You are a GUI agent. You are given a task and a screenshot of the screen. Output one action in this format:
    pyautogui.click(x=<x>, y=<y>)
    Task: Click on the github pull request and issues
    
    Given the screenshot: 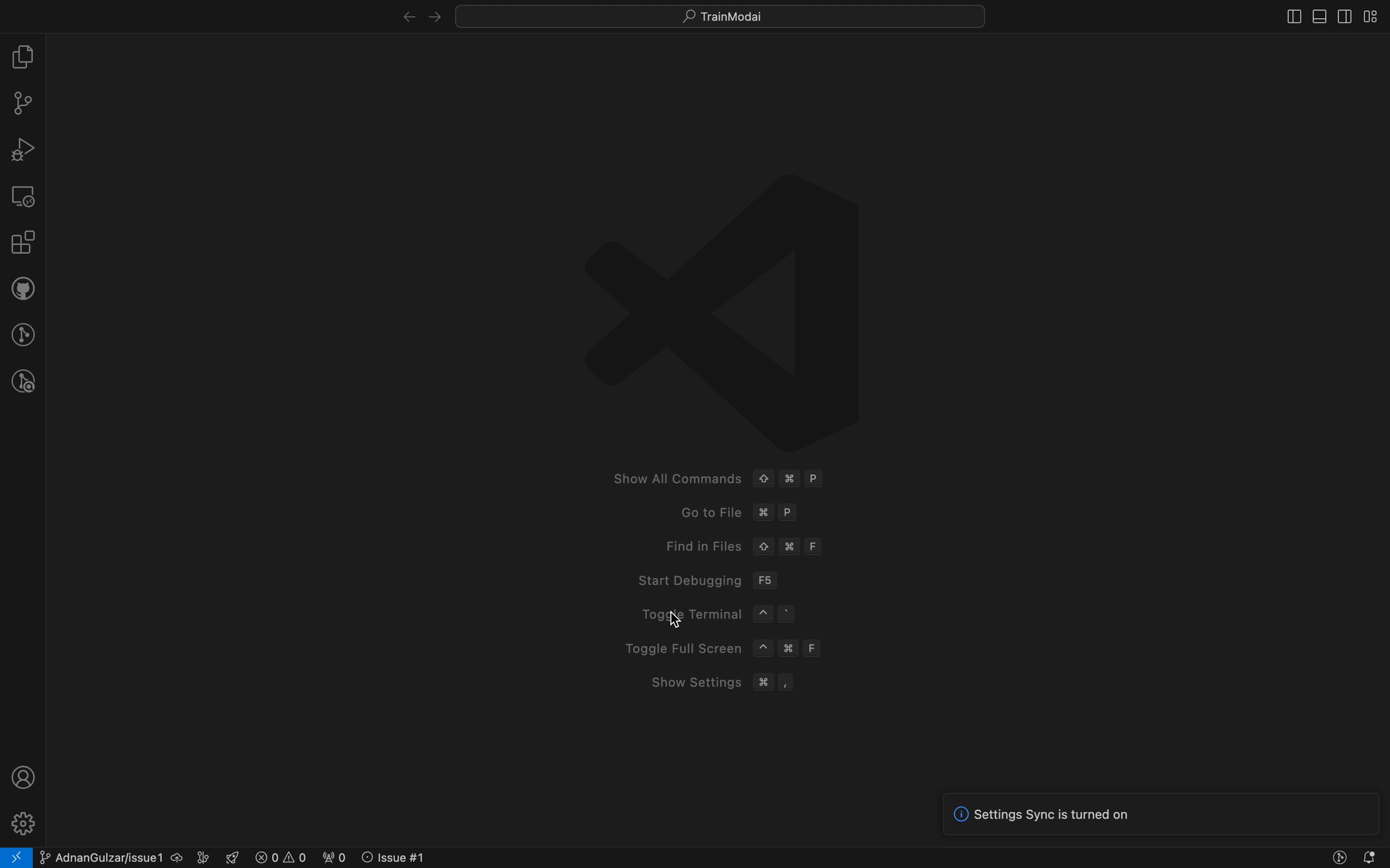 What is the action you would take?
    pyautogui.click(x=22, y=289)
    